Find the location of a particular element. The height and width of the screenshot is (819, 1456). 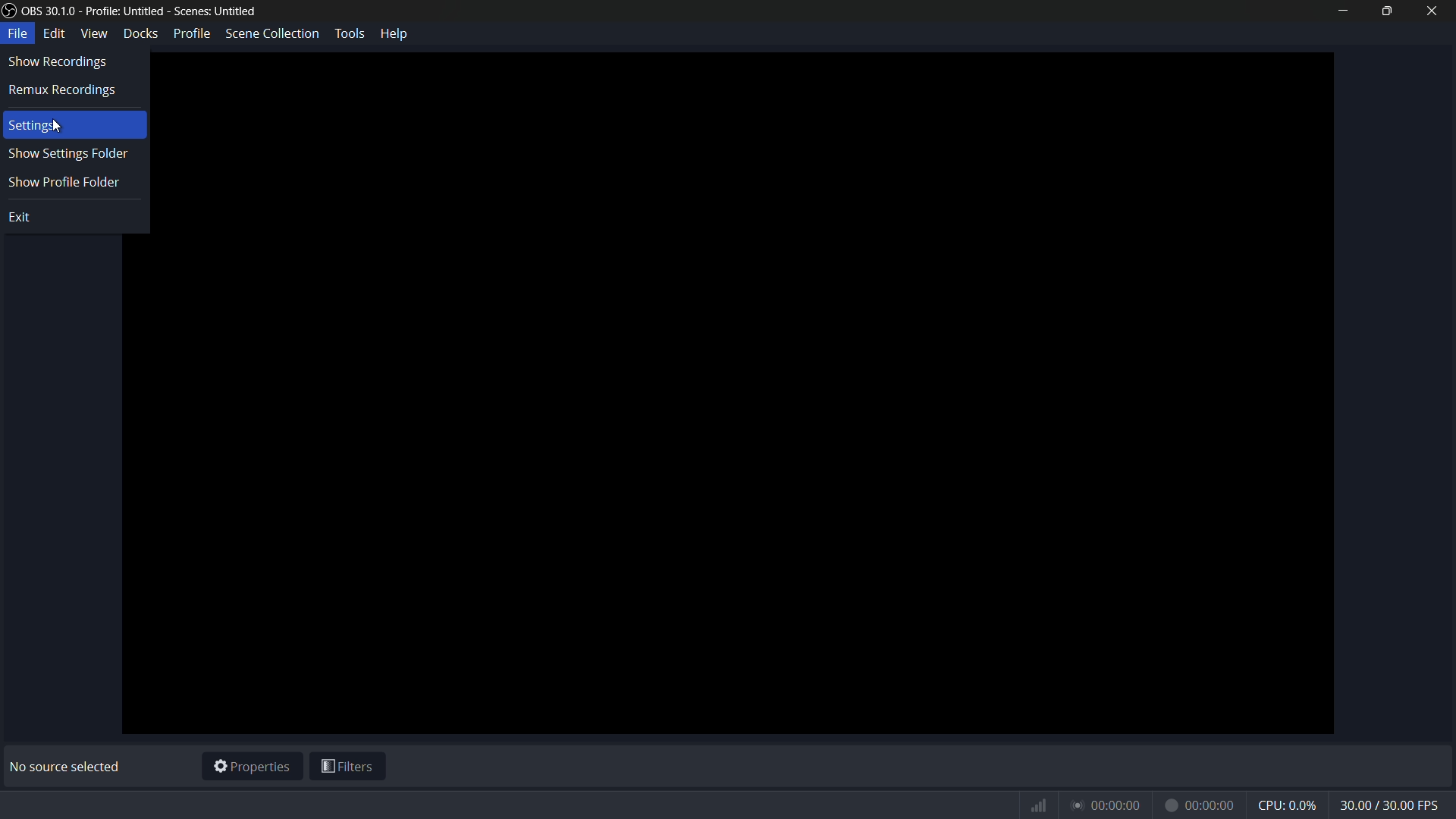

filters is located at coordinates (348, 769).